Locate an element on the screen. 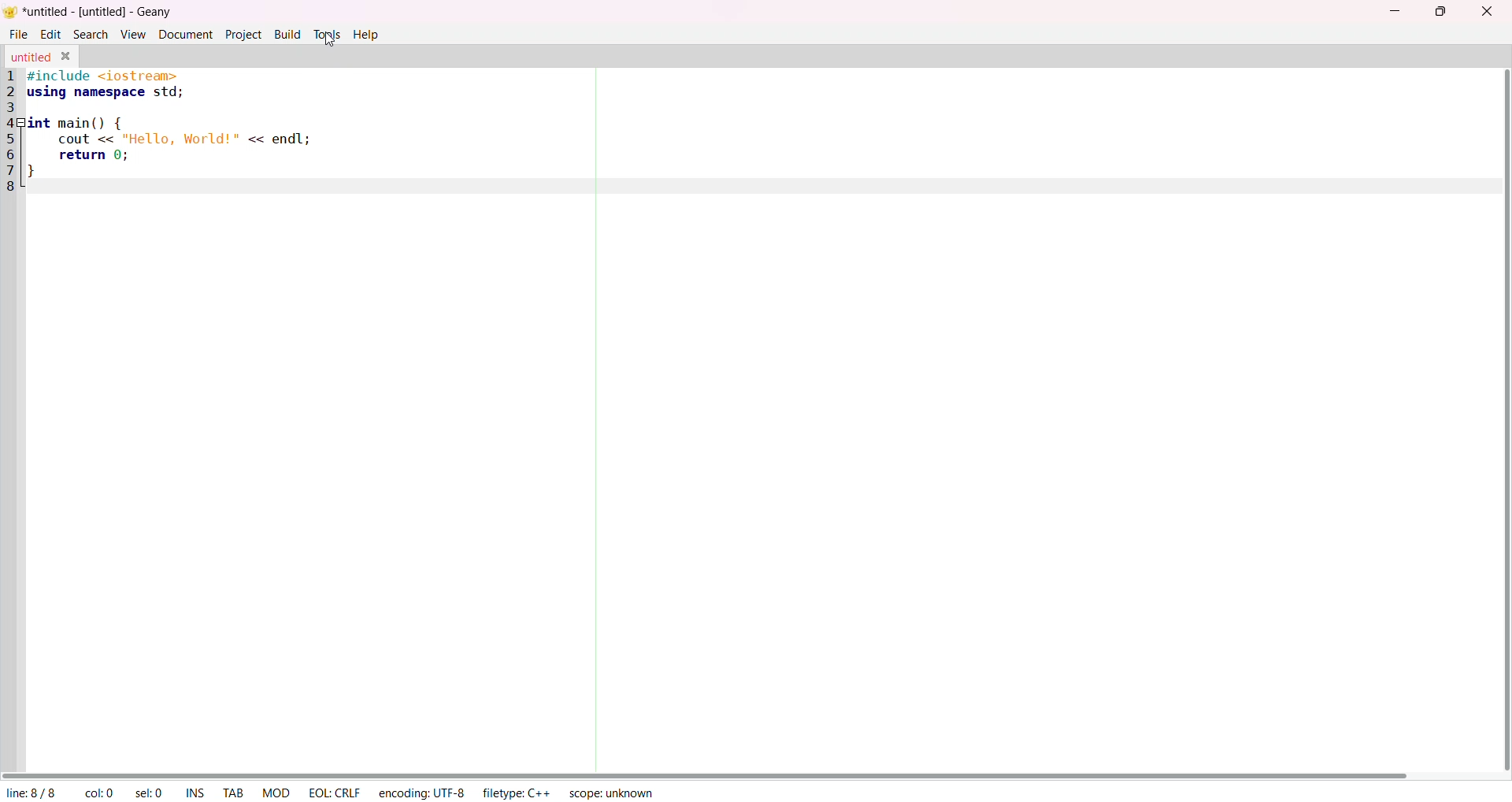  Help is located at coordinates (369, 35).